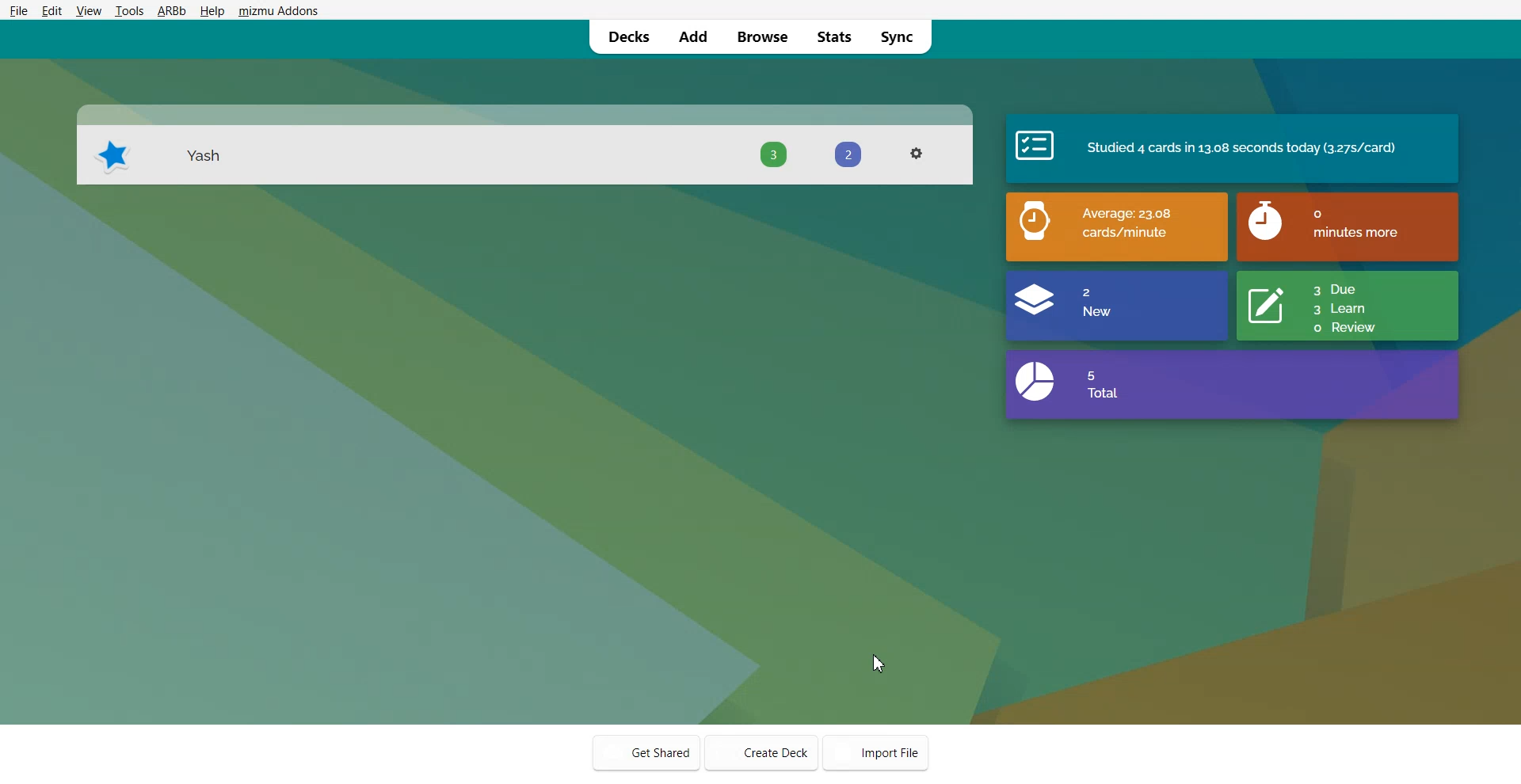  I want to click on mizmu Addons, so click(278, 10).